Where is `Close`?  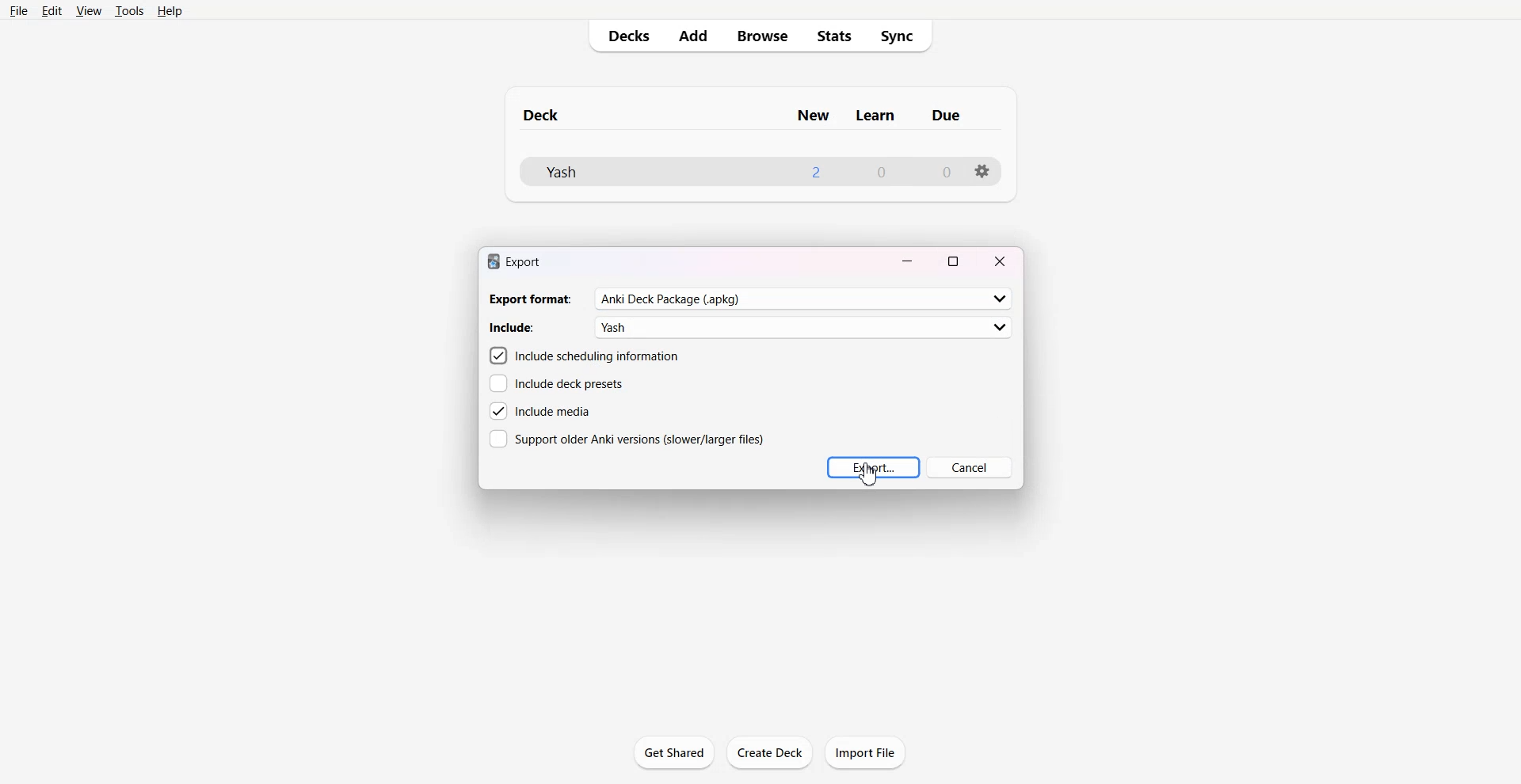
Close is located at coordinates (1000, 260).